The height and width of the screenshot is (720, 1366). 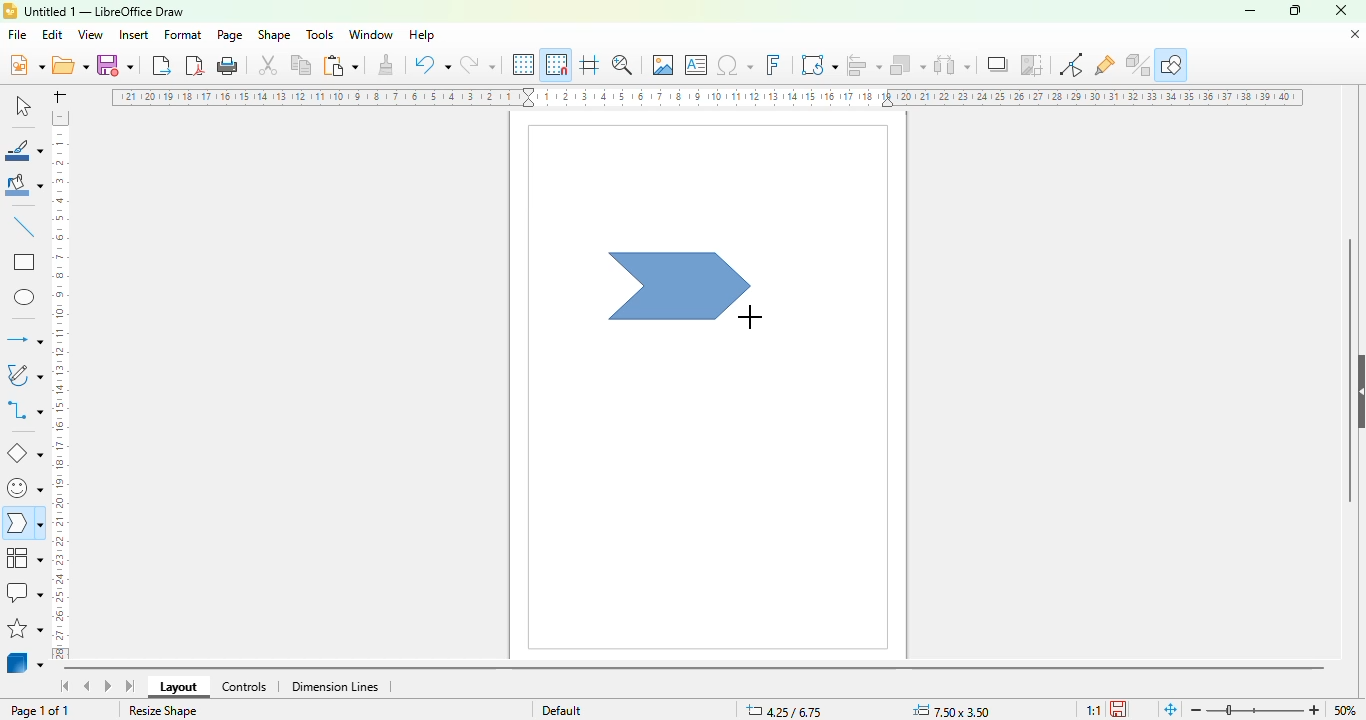 I want to click on display grid, so click(x=525, y=65).